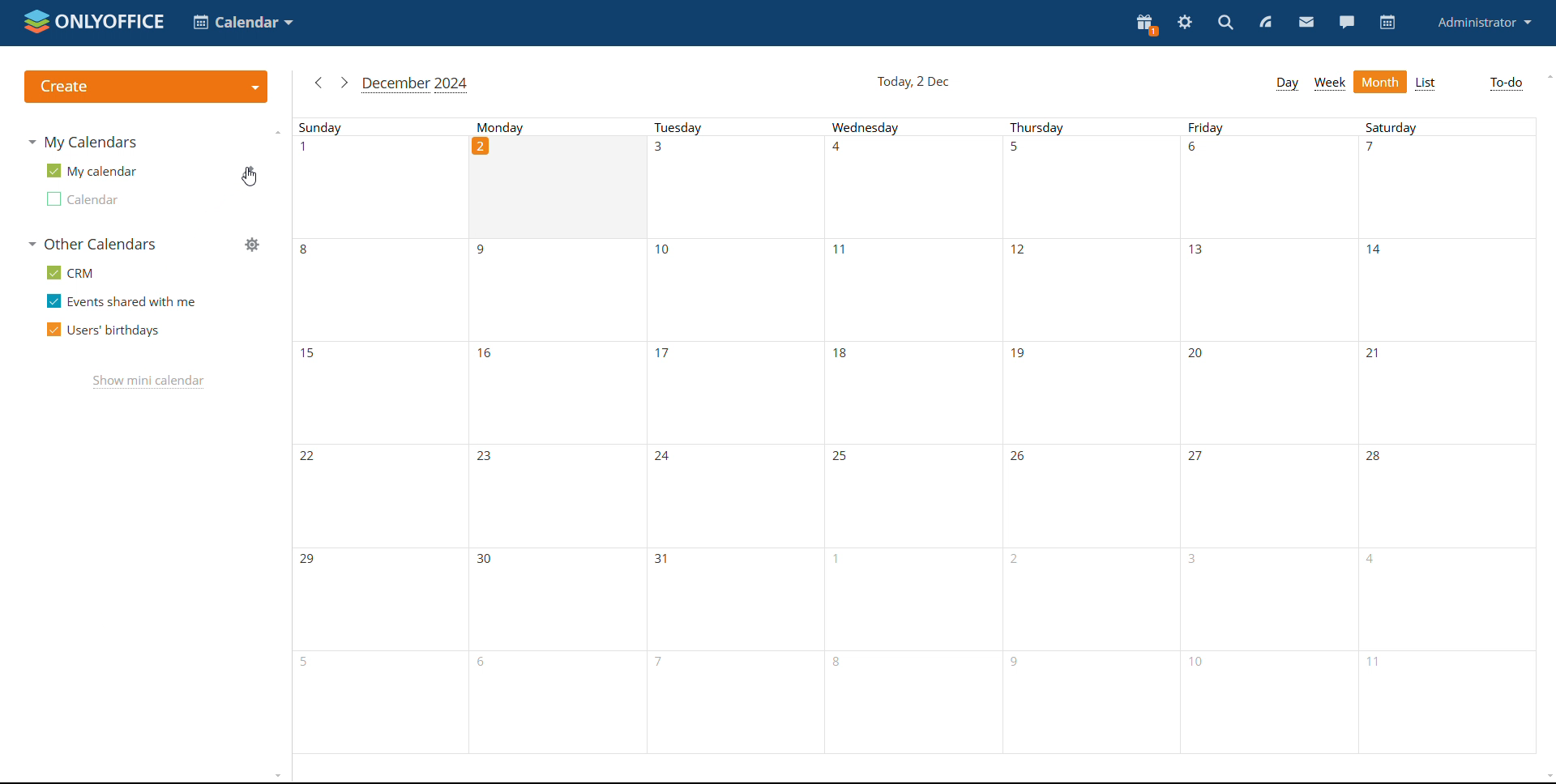  Describe the element at coordinates (1146, 25) in the screenshot. I see `present` at that location.